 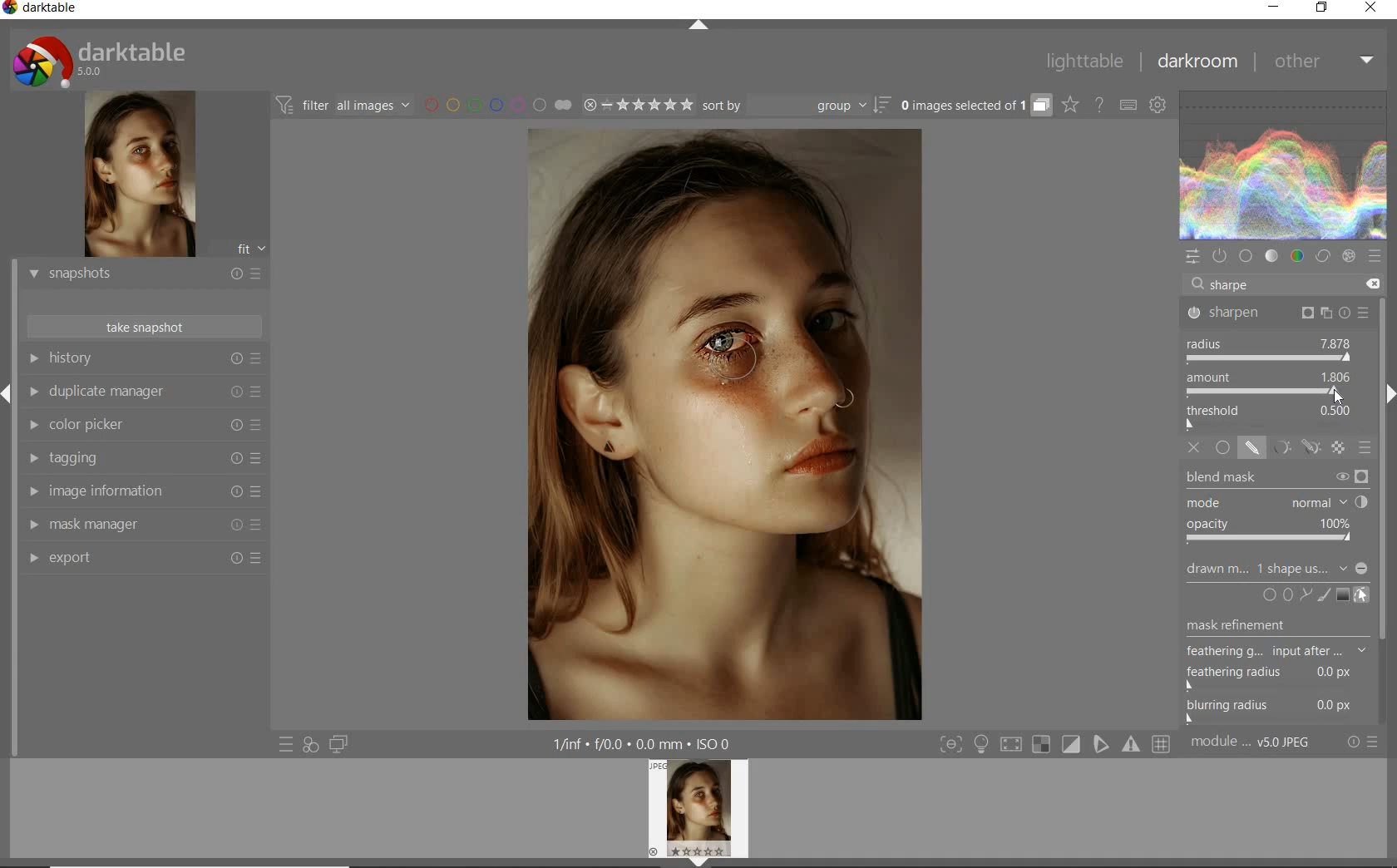 What do you see at coordinates (144, 560) in the screenshot?
I see `export` at bounding box center [144, 560].